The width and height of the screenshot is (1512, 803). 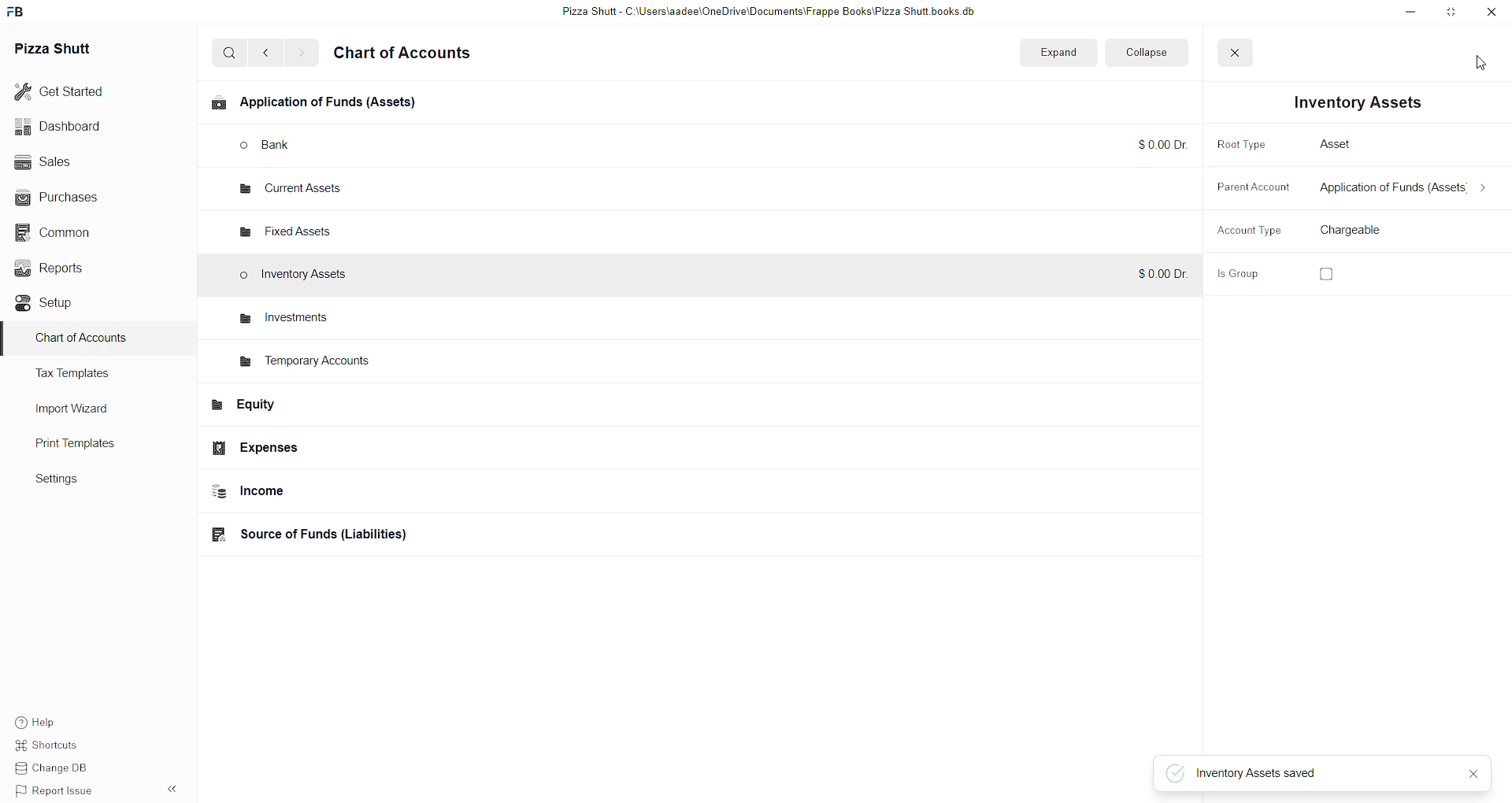 What do you see at coordinates (65, 196) in the screenshot?
I see `Purchases ` at bounding box center [65, 196].